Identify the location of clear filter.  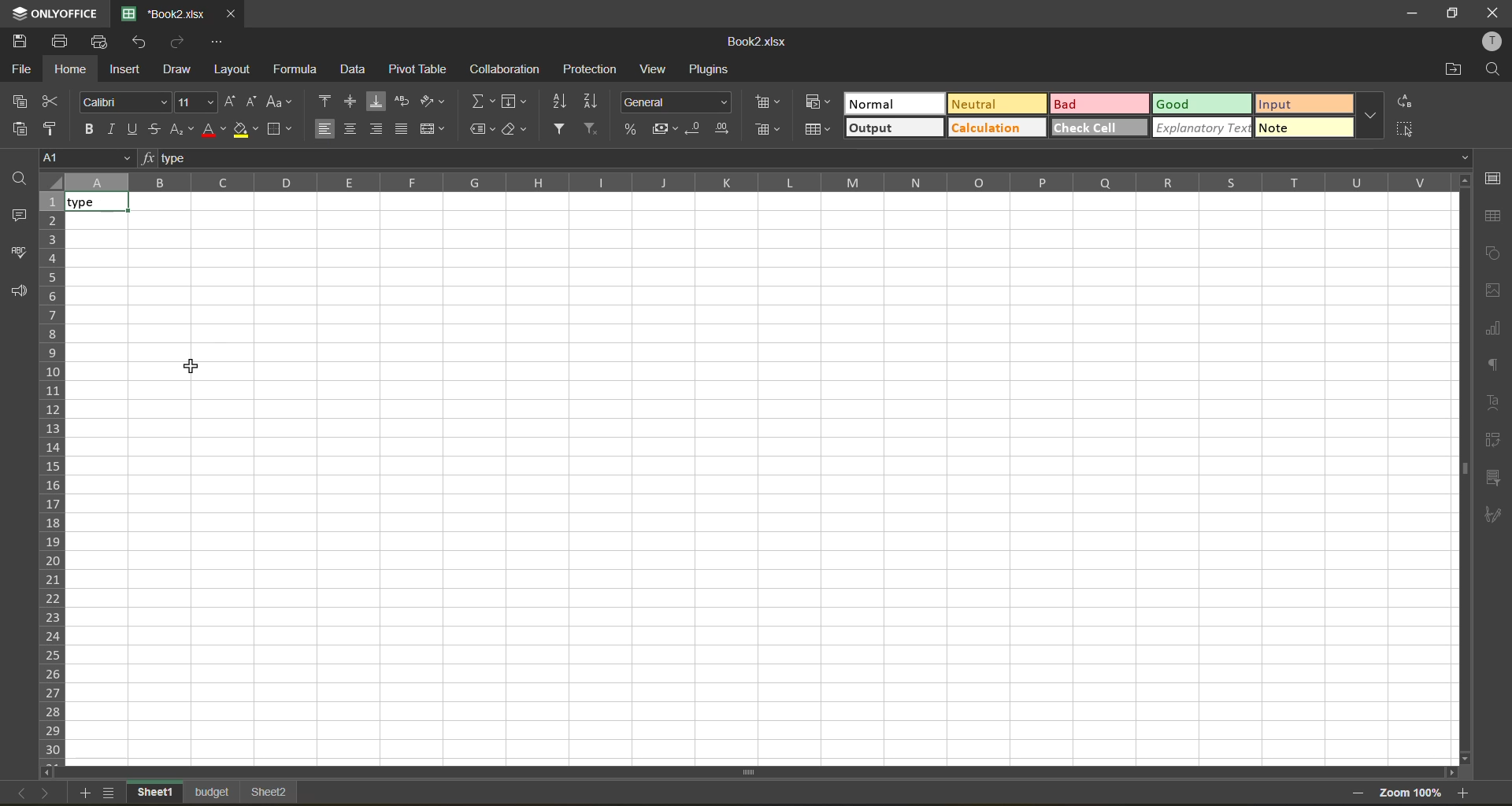
(589, 130).